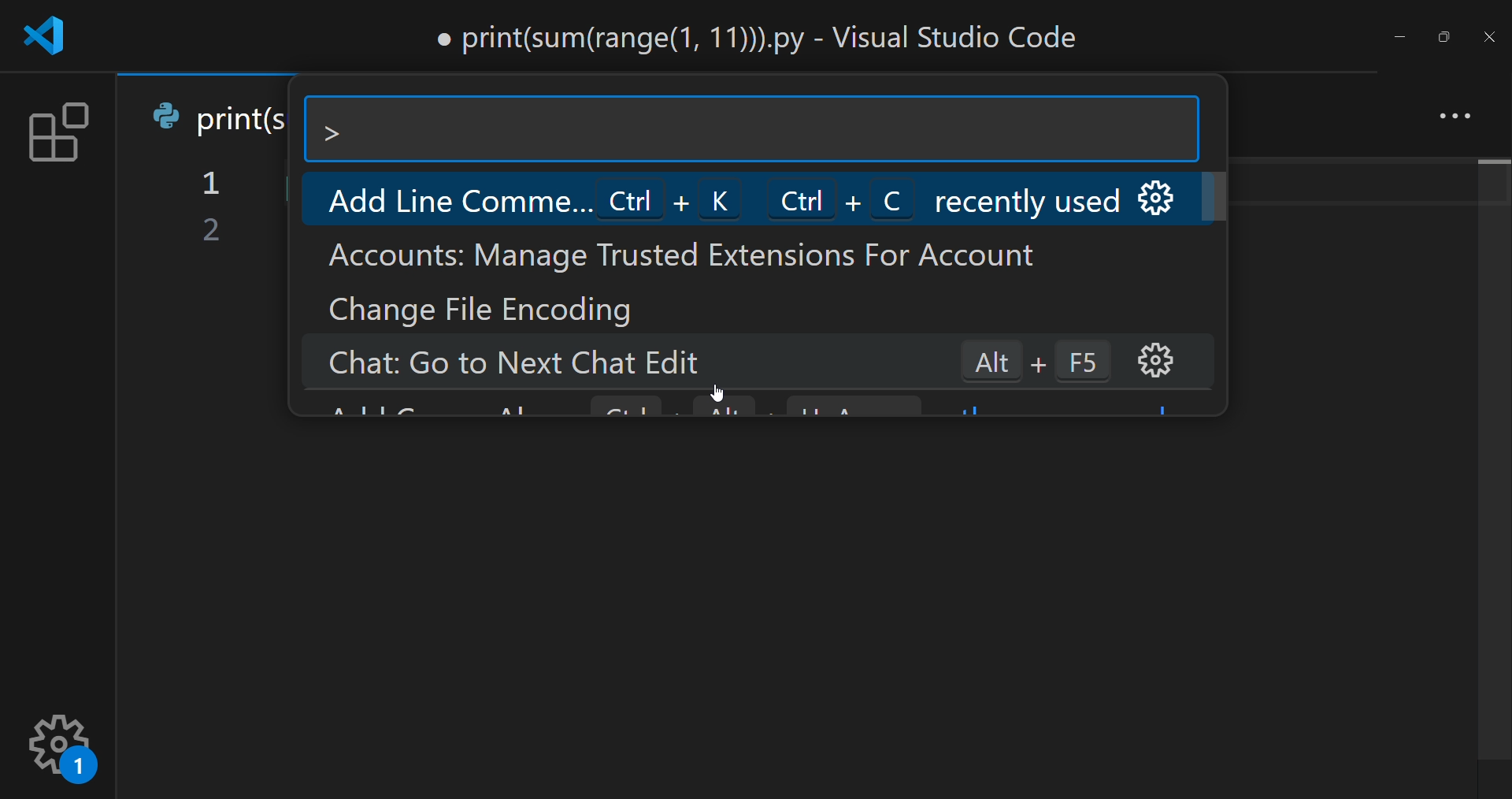  I want to click on option setting, so click(1165, 197).